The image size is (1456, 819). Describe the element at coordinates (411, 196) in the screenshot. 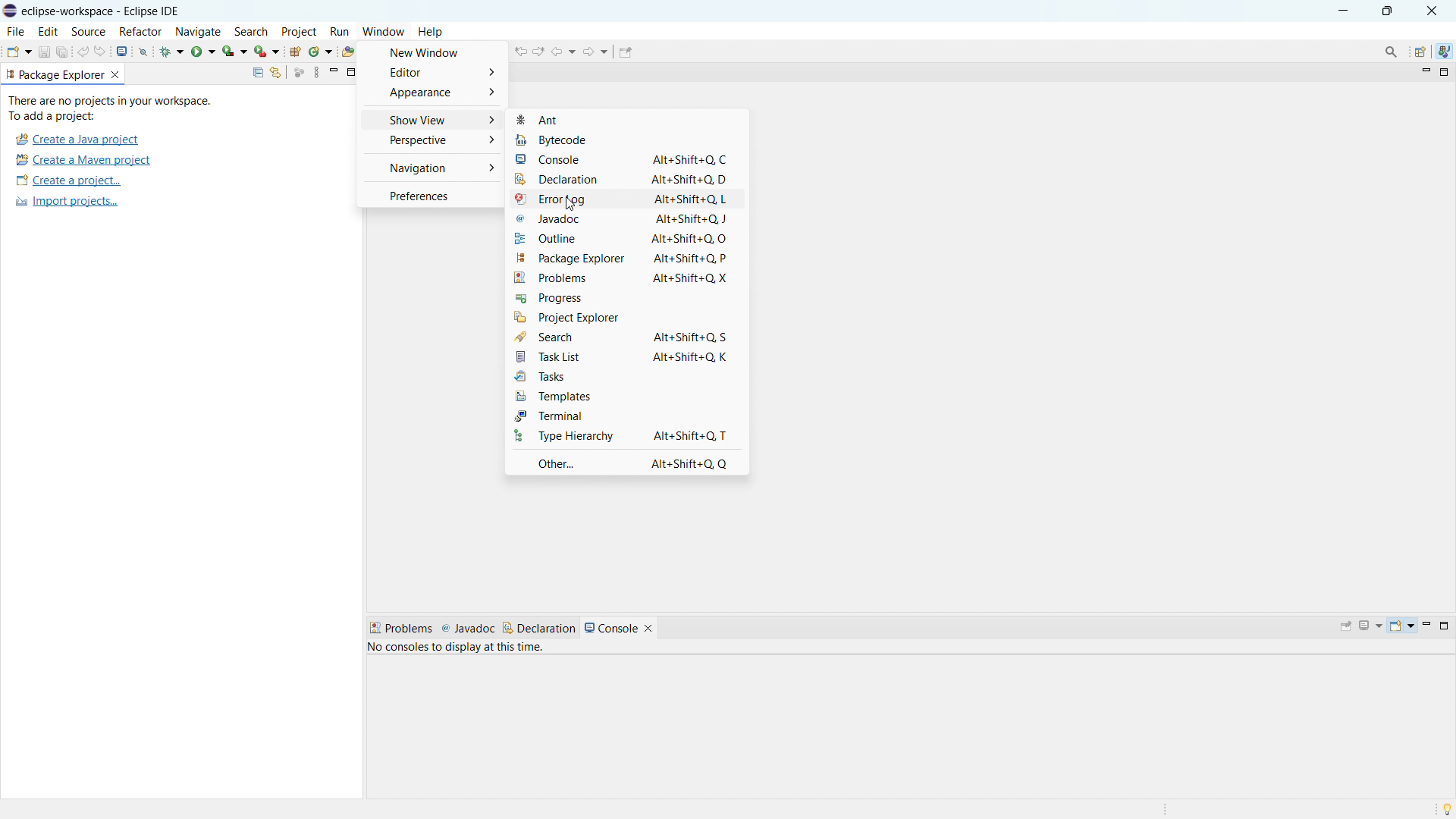

I see `Preferences` at that location.